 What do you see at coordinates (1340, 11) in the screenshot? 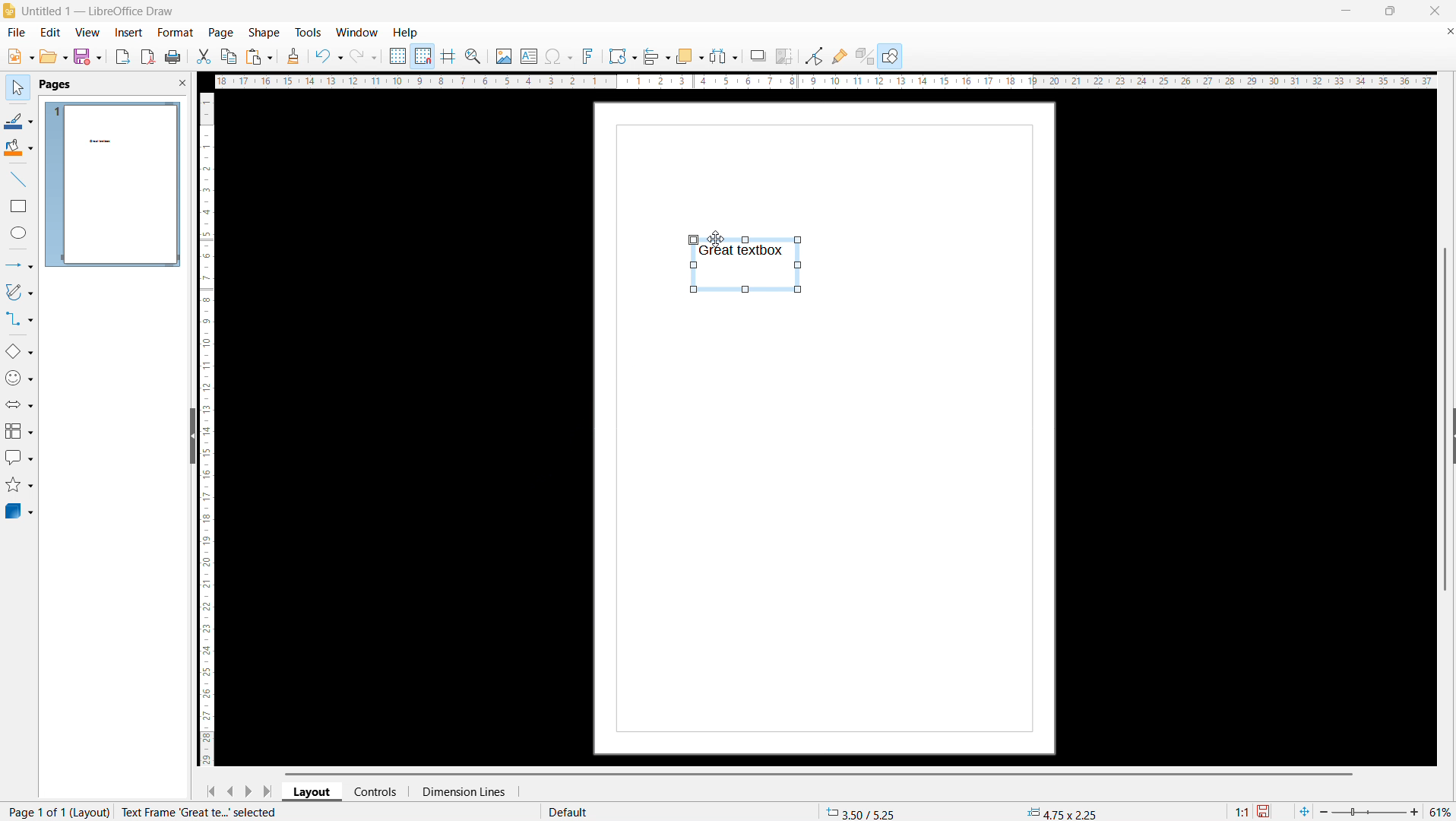
I see `minimise ` at bounding box center [1340, 11].